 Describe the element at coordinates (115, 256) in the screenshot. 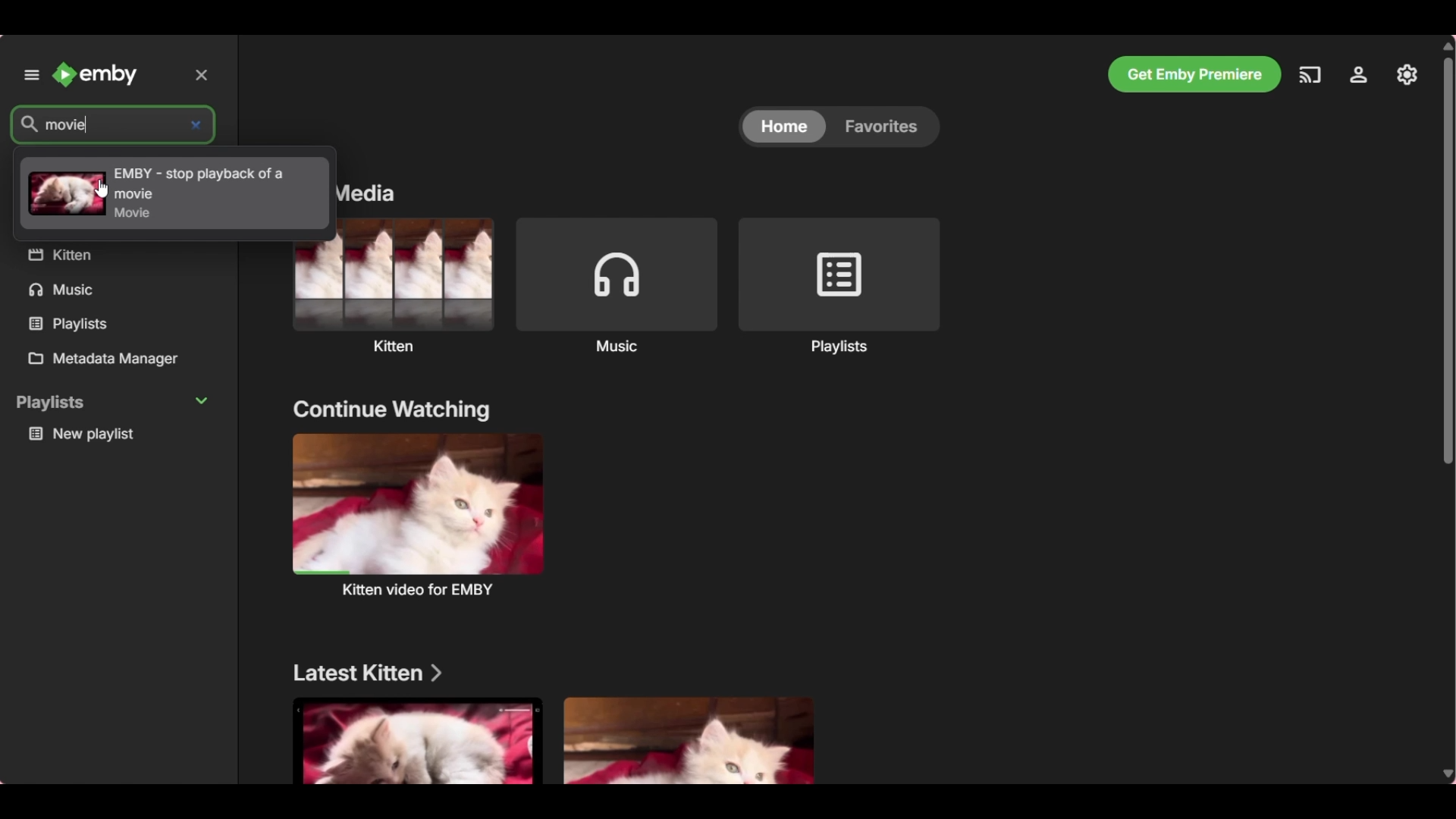

I see `kitten` at that location.